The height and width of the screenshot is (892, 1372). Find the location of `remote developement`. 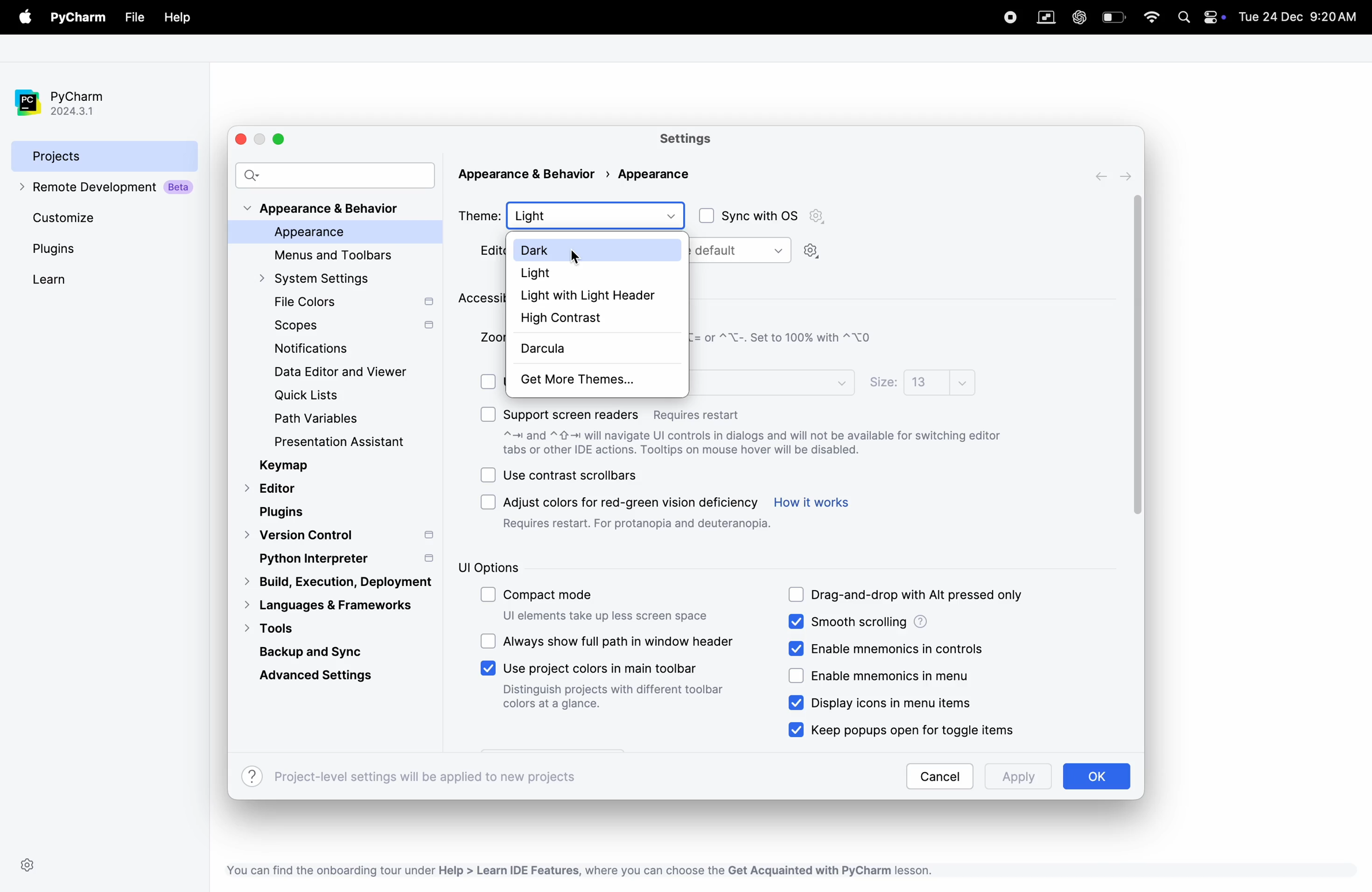

remote developement is located at coordinates (108, 188).